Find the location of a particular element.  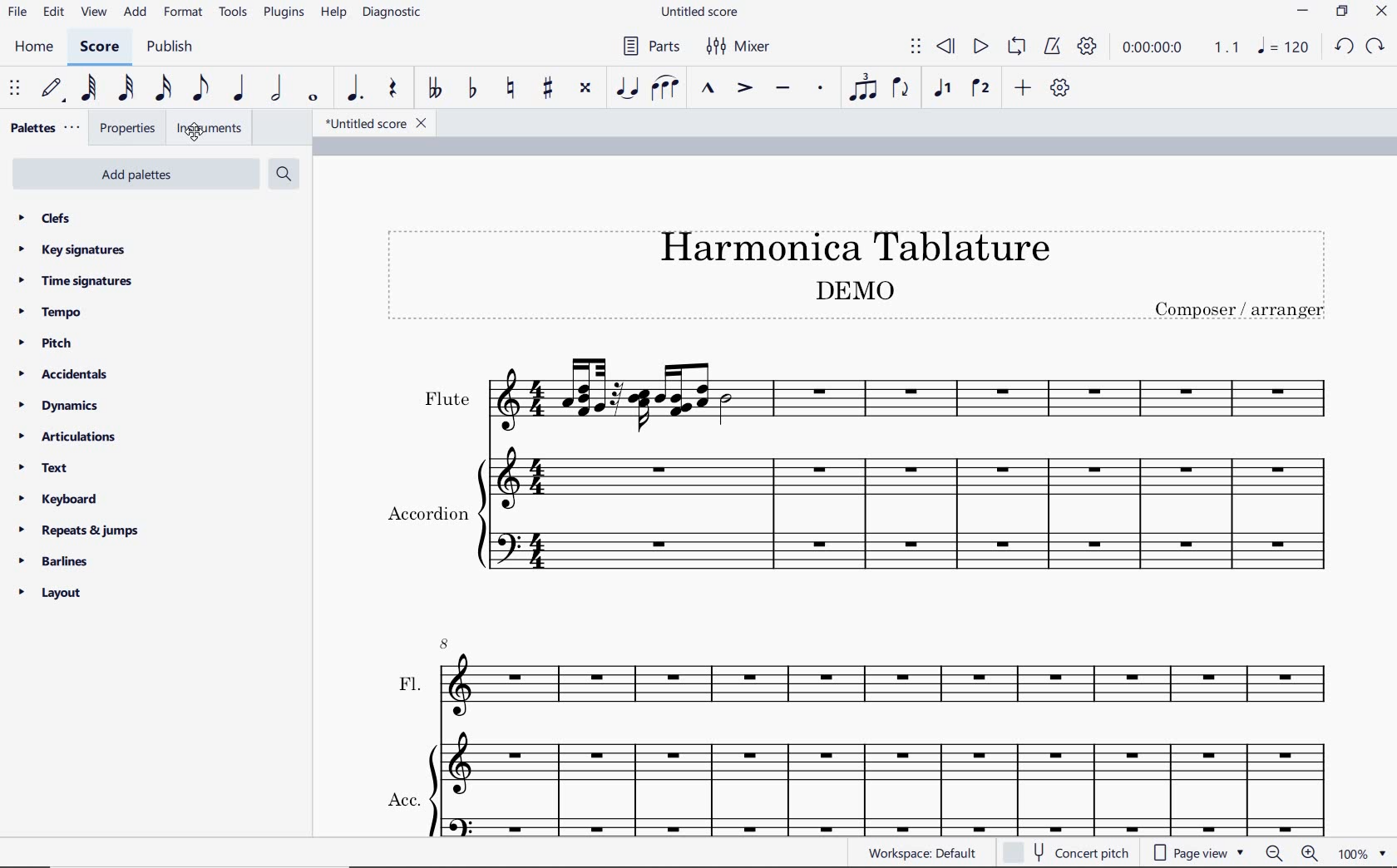

add palettes is located at coordinates (144, 177).